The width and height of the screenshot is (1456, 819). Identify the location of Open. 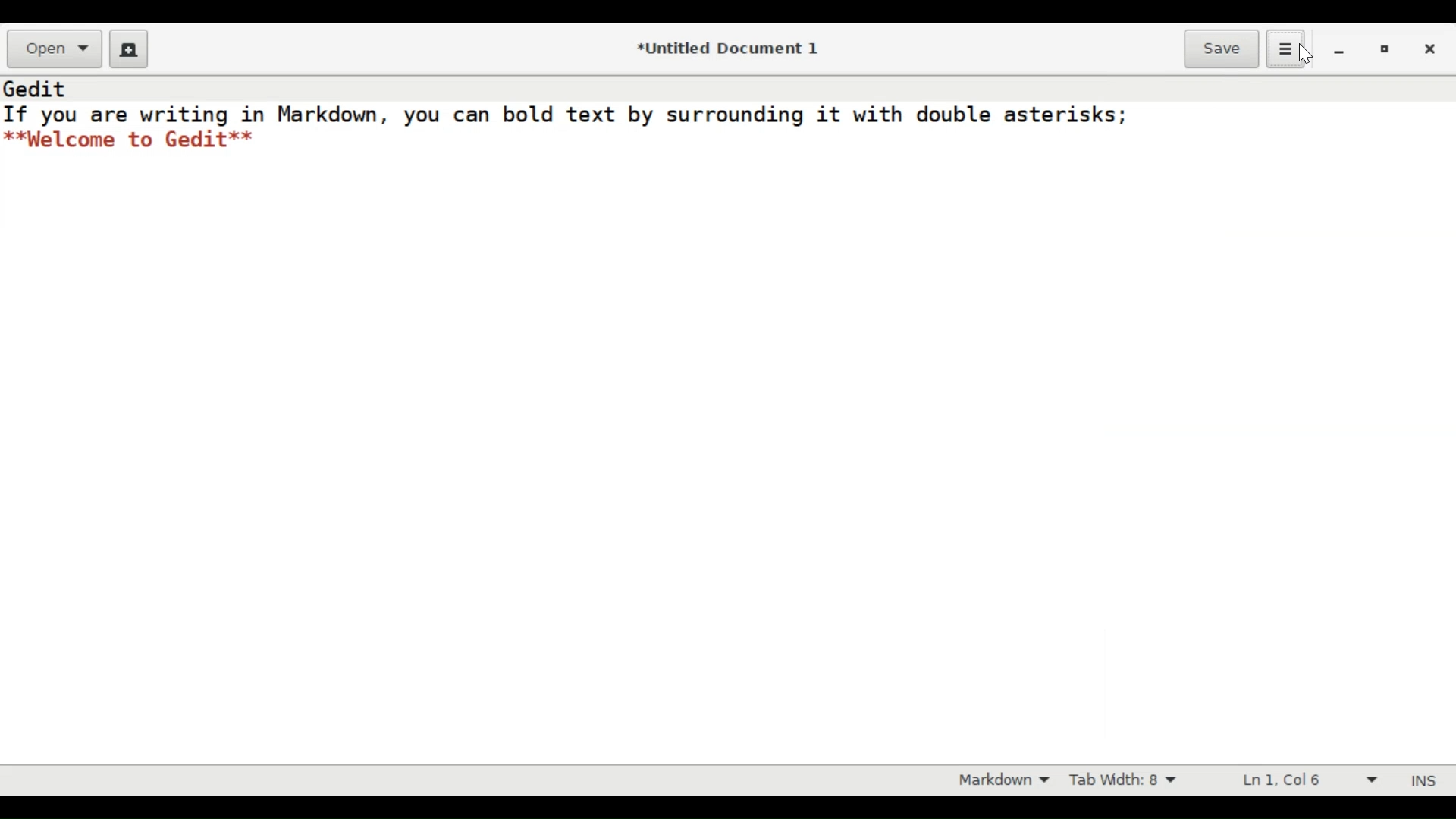
(52, 50).